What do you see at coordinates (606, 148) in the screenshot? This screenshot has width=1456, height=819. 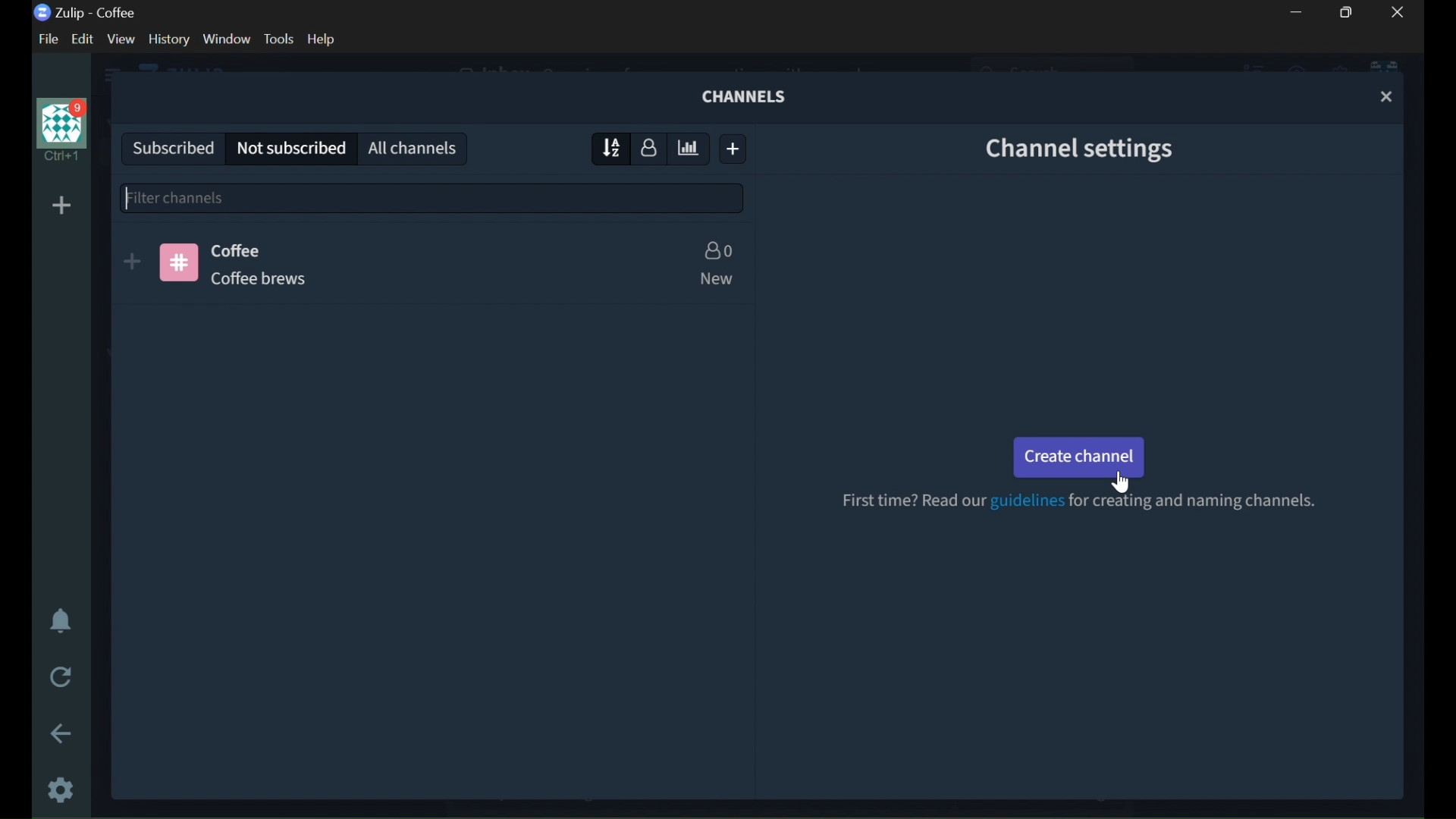 I see `SORT BY NAME` at bounding box center [606, 148].